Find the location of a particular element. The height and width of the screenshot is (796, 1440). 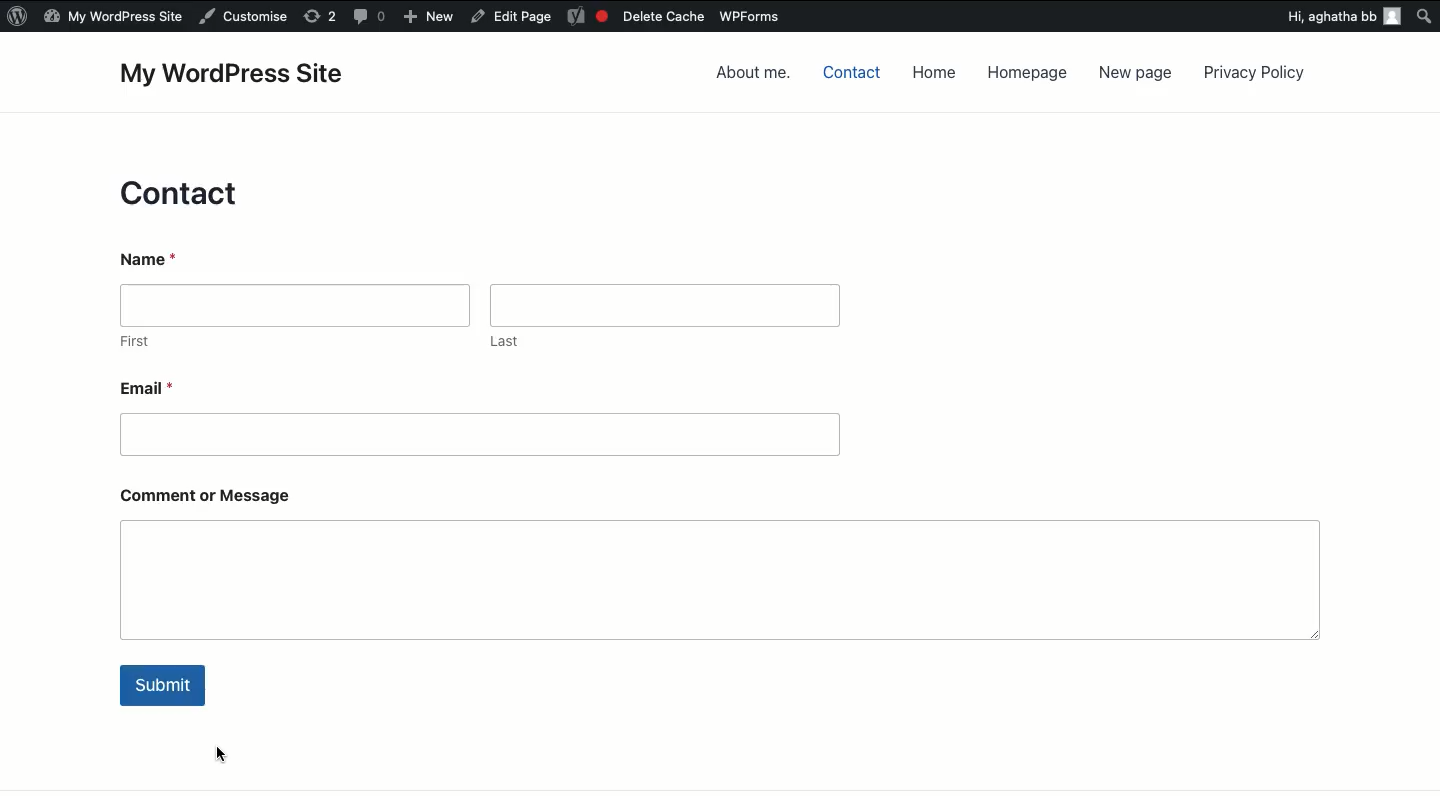

About me. is located at coordinates (757, 73).